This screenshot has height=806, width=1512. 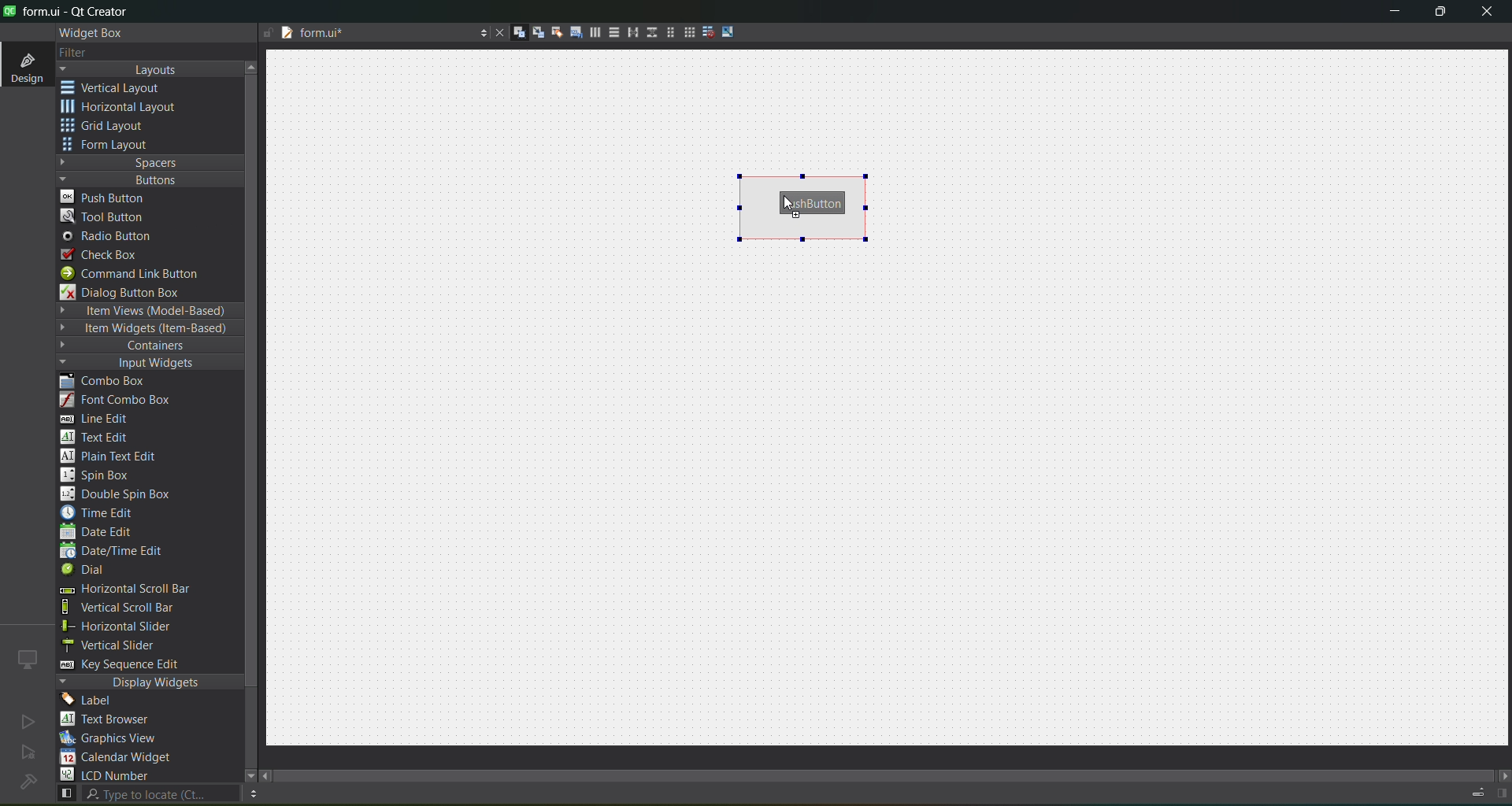 What do you see at coordinates (124, 645) in the screenshot?
I see `vertical slider` at bounding box center [124, 645].